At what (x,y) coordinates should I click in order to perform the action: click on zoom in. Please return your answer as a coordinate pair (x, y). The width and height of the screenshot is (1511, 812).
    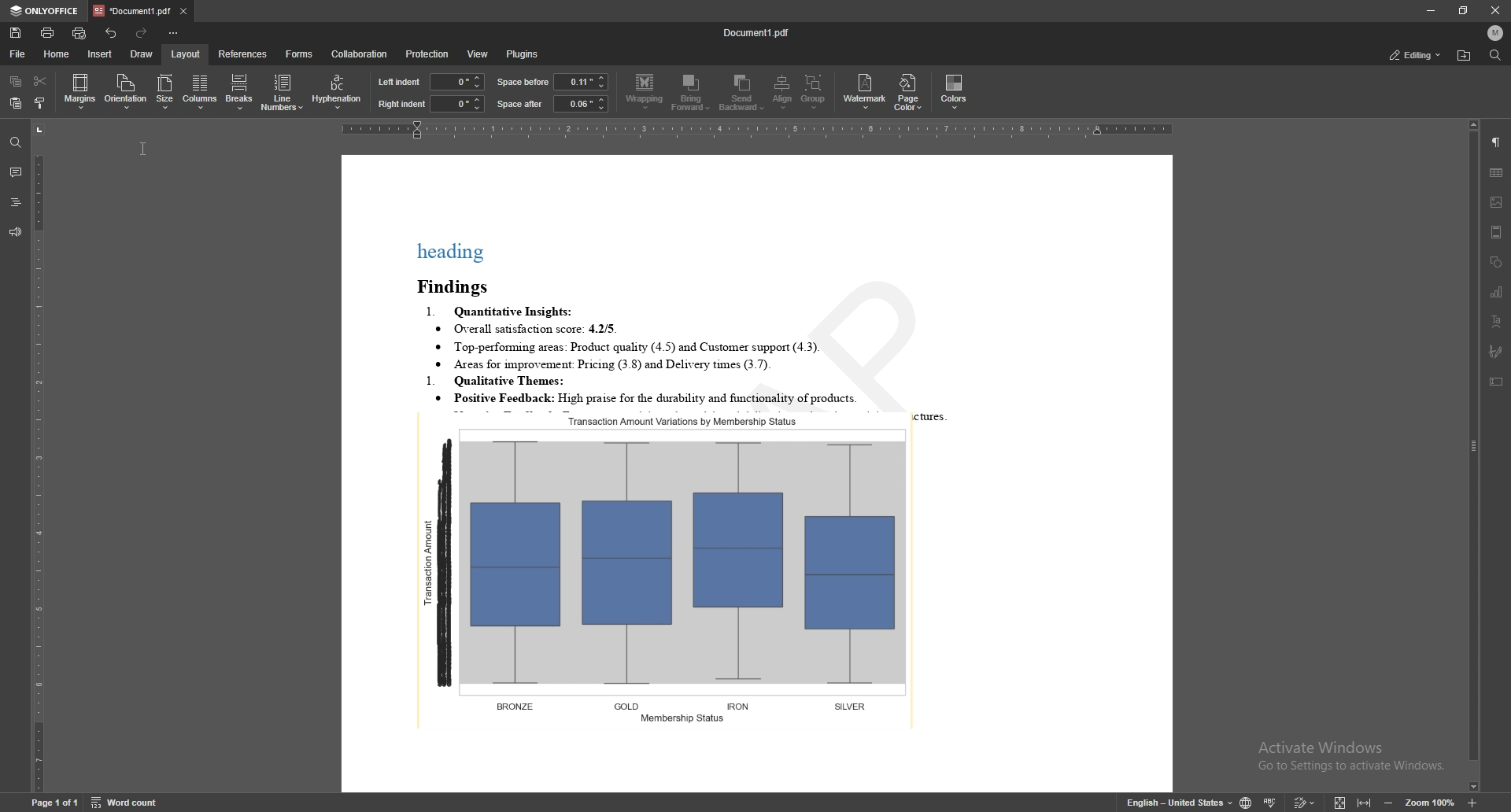
    Looking at the image, I should click on (1472, 803).